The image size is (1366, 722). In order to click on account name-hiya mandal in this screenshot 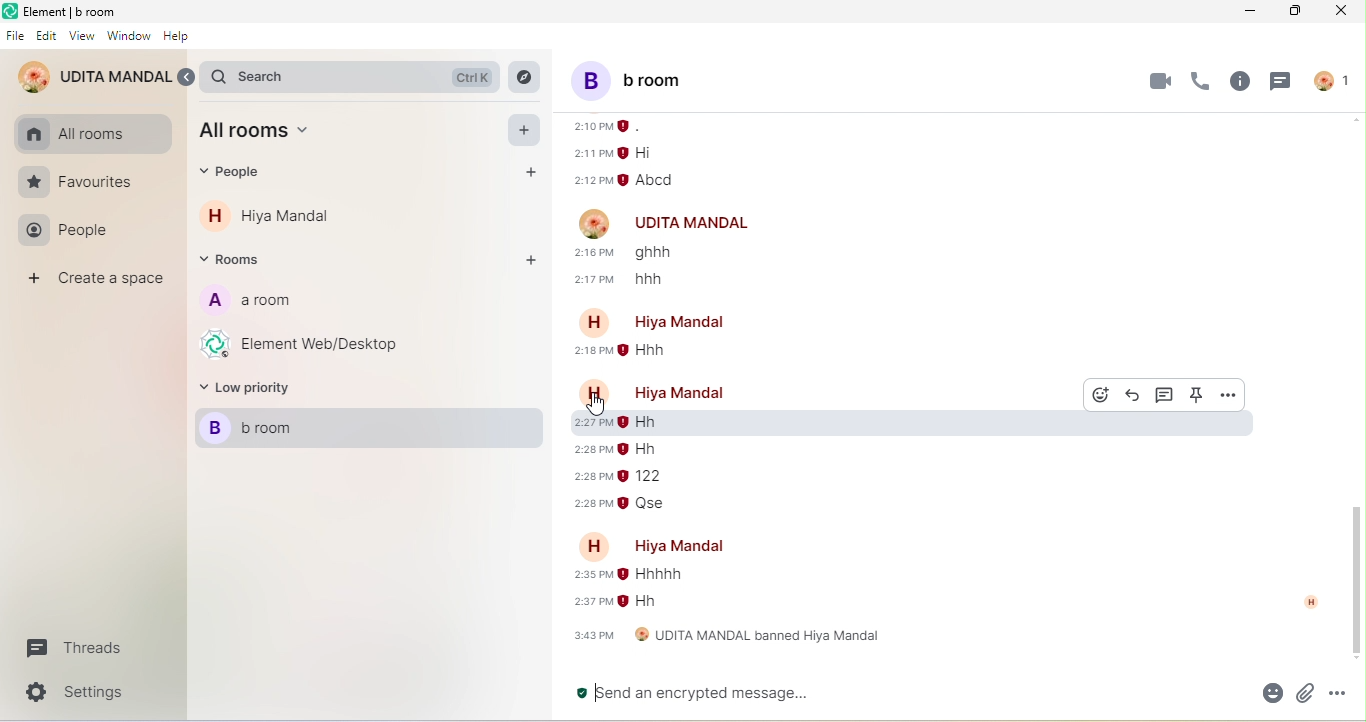, I will do `click(663, 321)`.